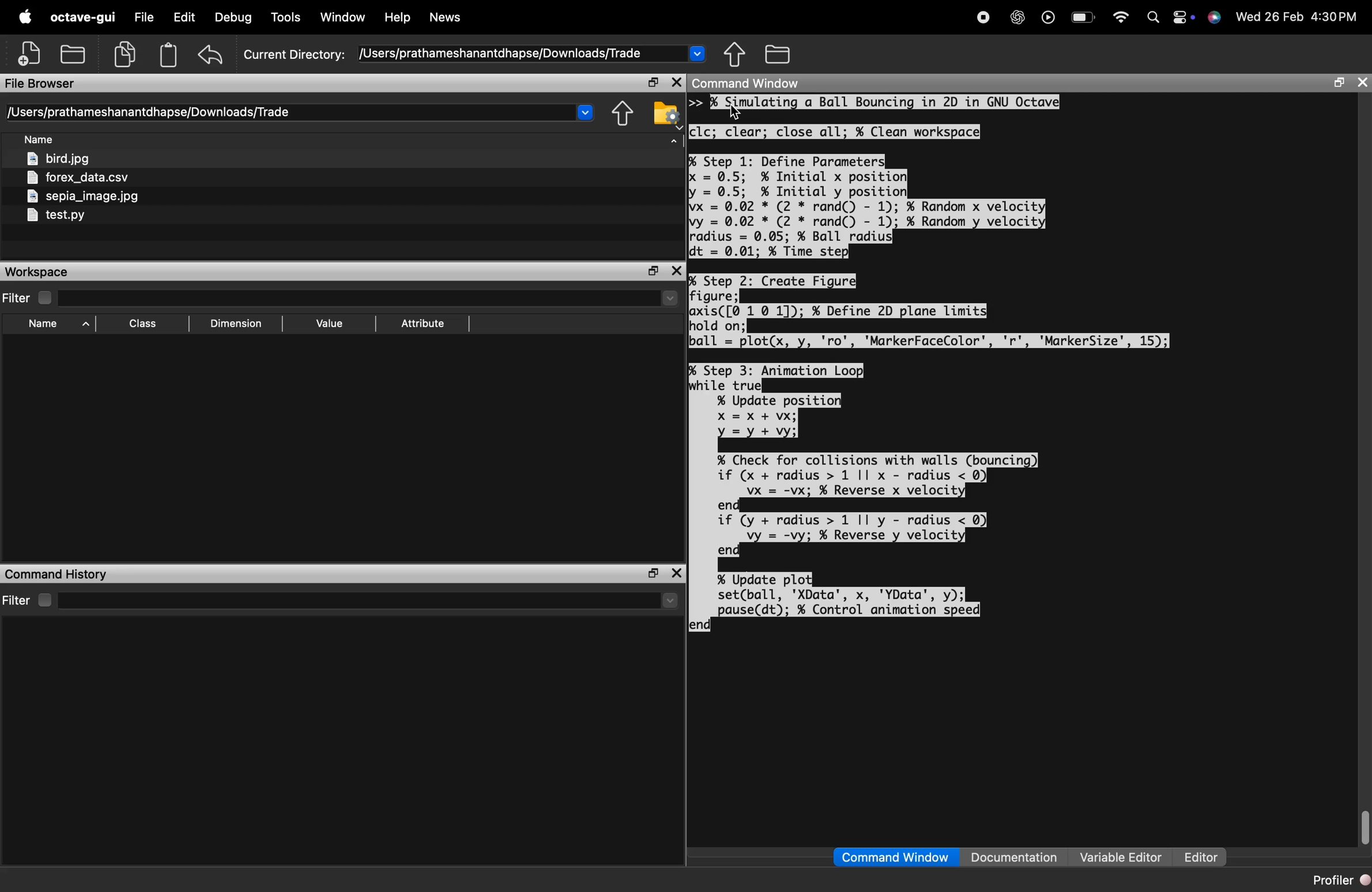 The height and width of the screenshot is (892, 1372). I want to click on close, so click(677, 82).